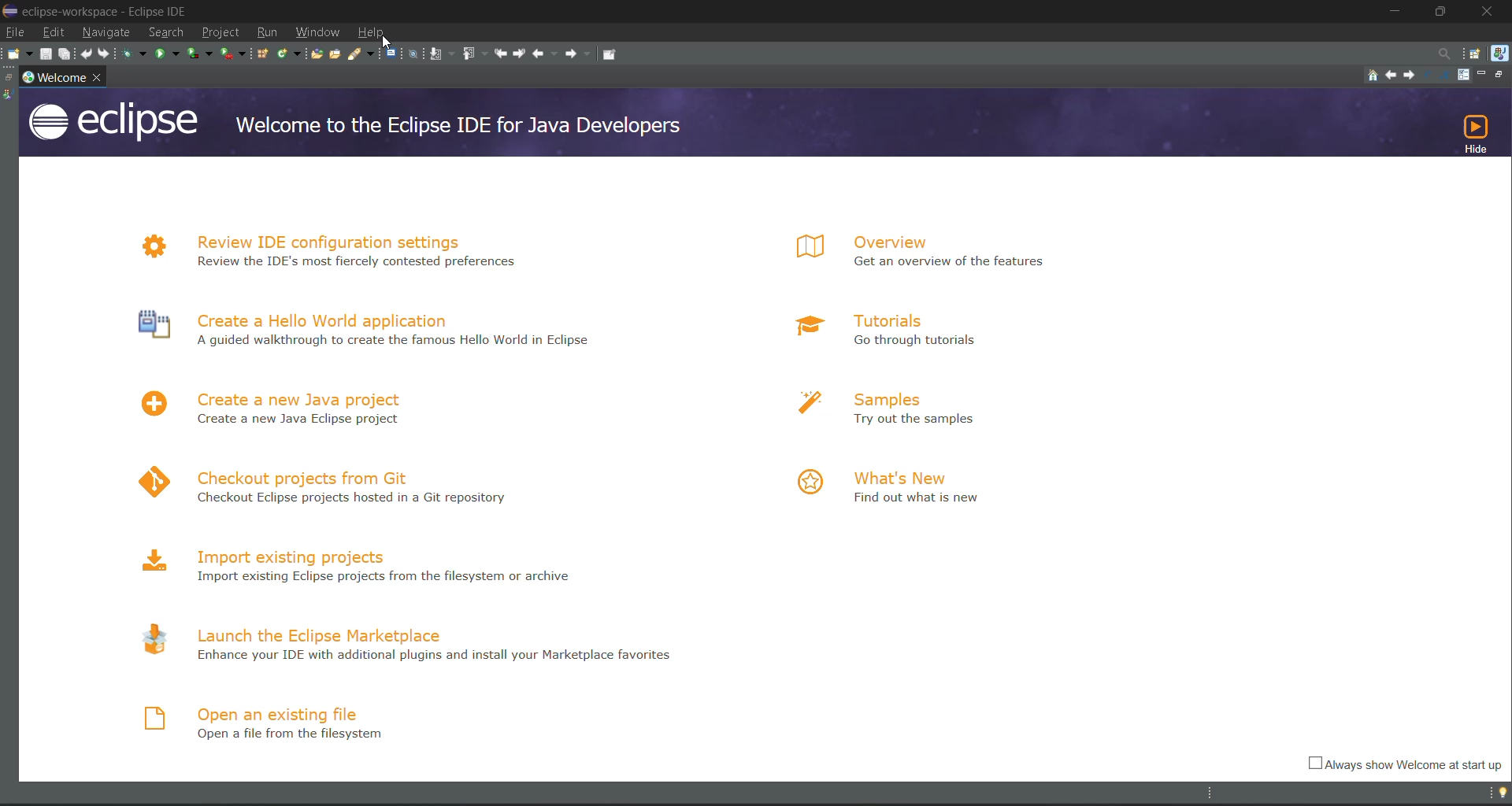 Image resolution: width=1512 pixels, height=806 pixels. I want to click on open an existing file, so click(265, 712).